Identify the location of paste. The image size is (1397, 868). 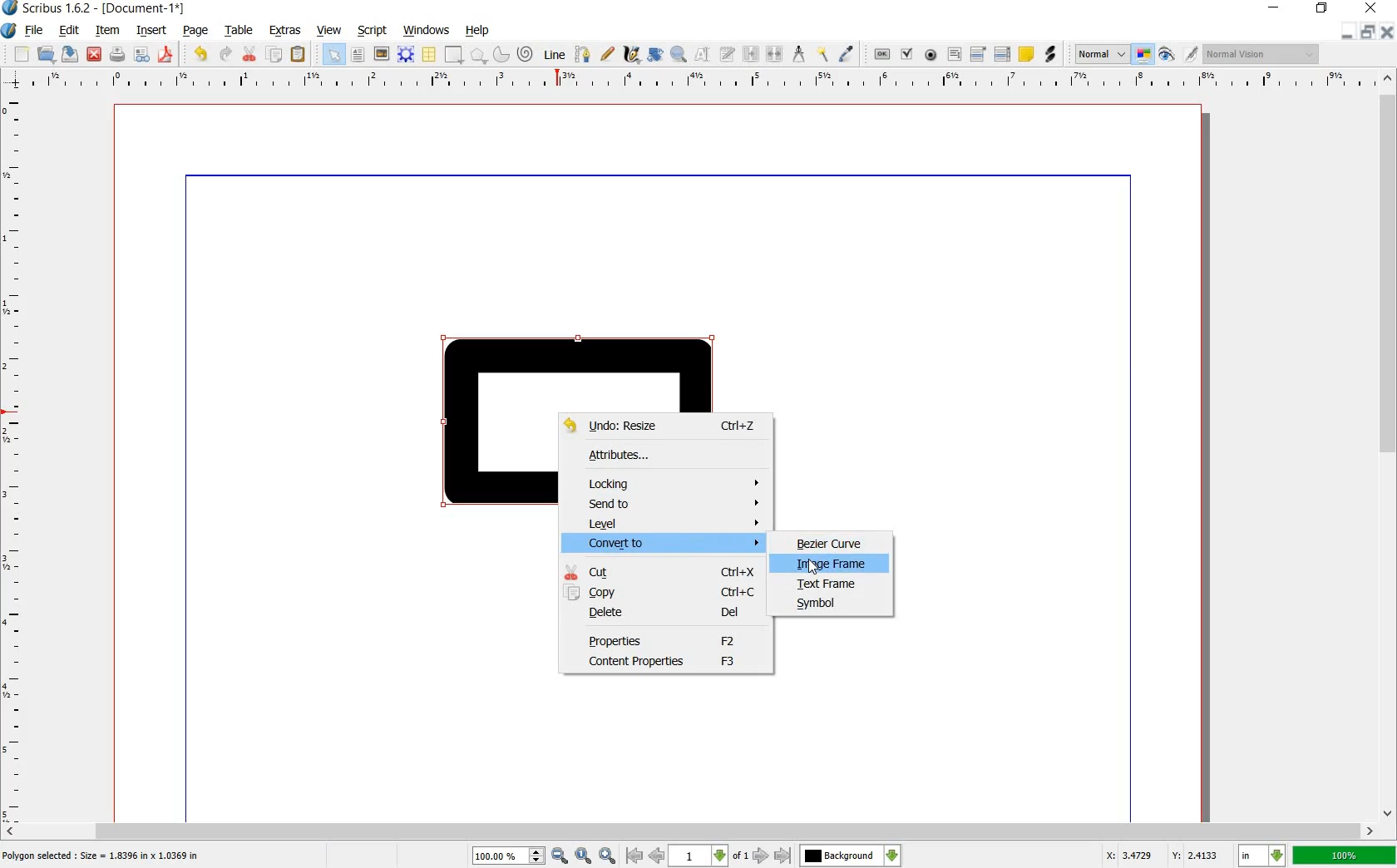
(299, 55).